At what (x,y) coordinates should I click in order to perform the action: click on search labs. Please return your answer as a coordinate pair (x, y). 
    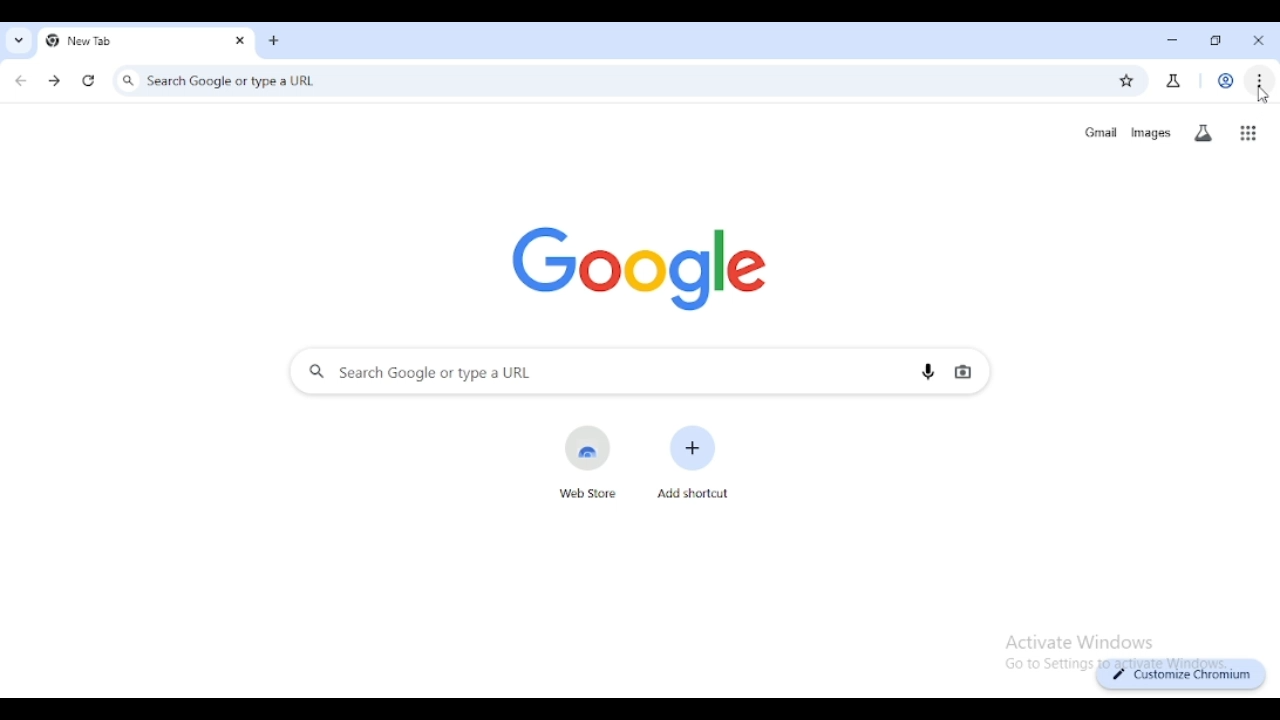
    Looking at the image, I should click on (1204, 133).